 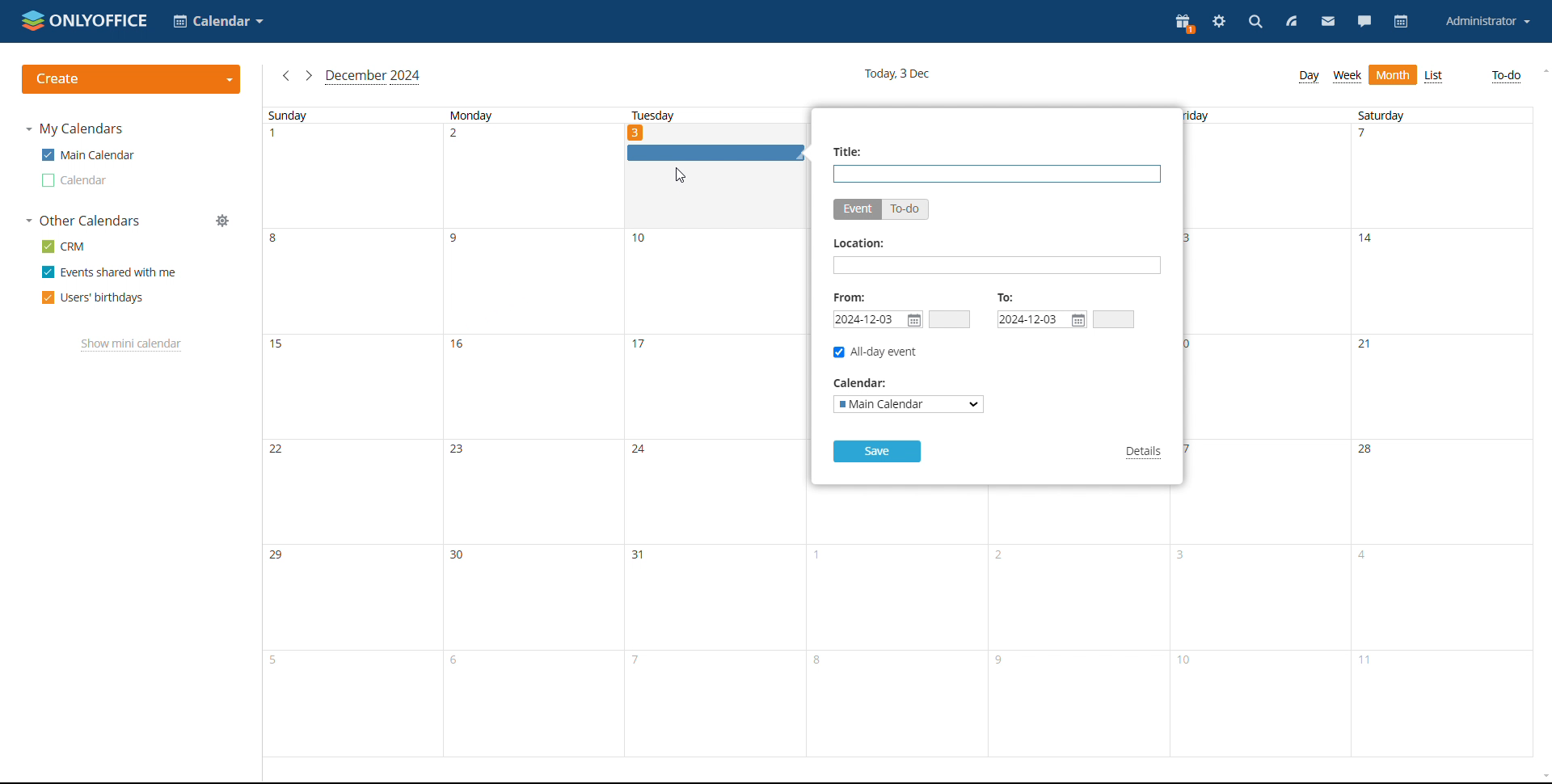 What do you see at coordinates (1401, 23) in the screenshot?
I see `calendar` at bounding box center [1401, 23].